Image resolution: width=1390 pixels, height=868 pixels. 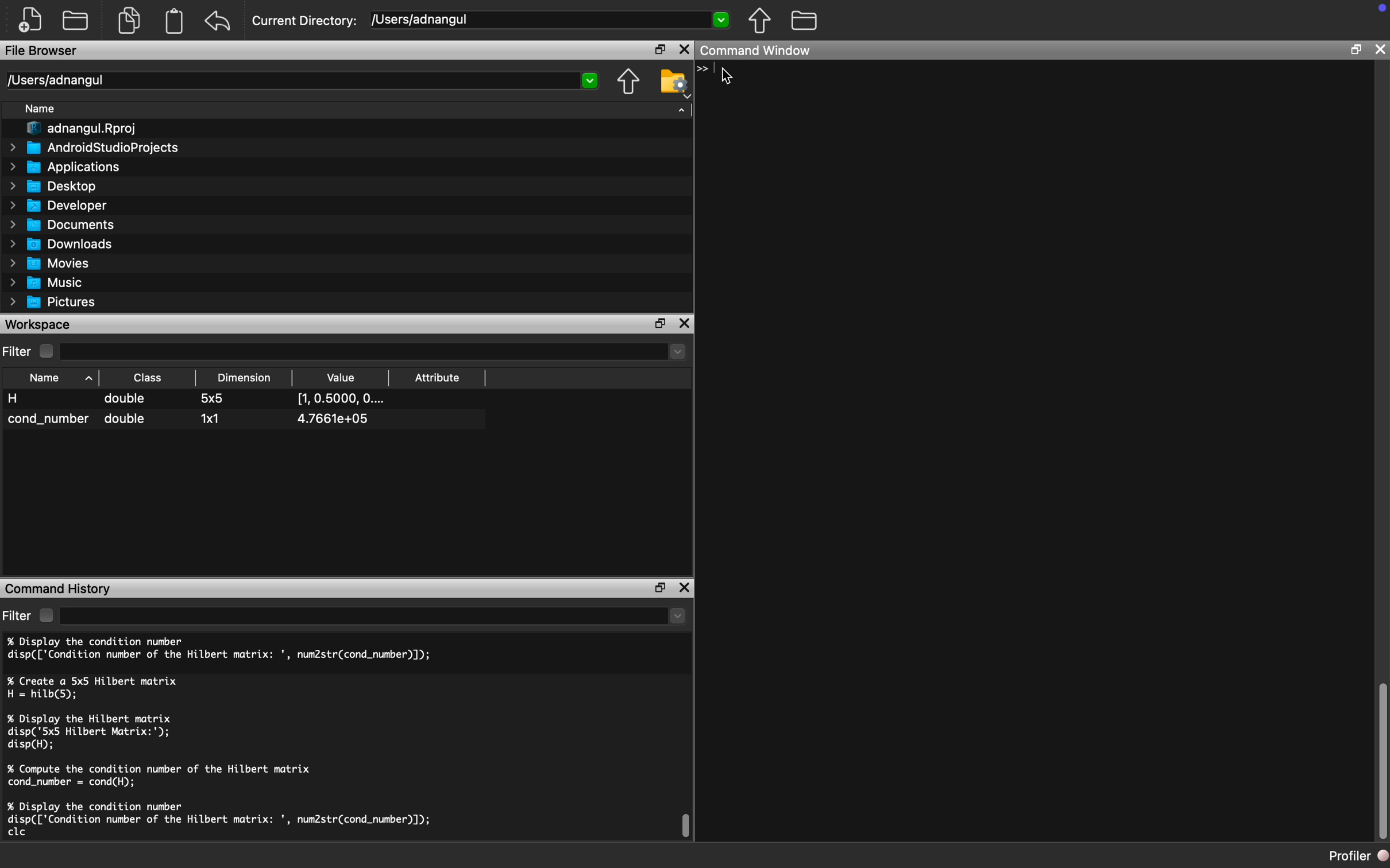 What do you see at coordinates (674, 82) in the screenshot?
I see `Folder Setting` at bounding box center [674, 82].